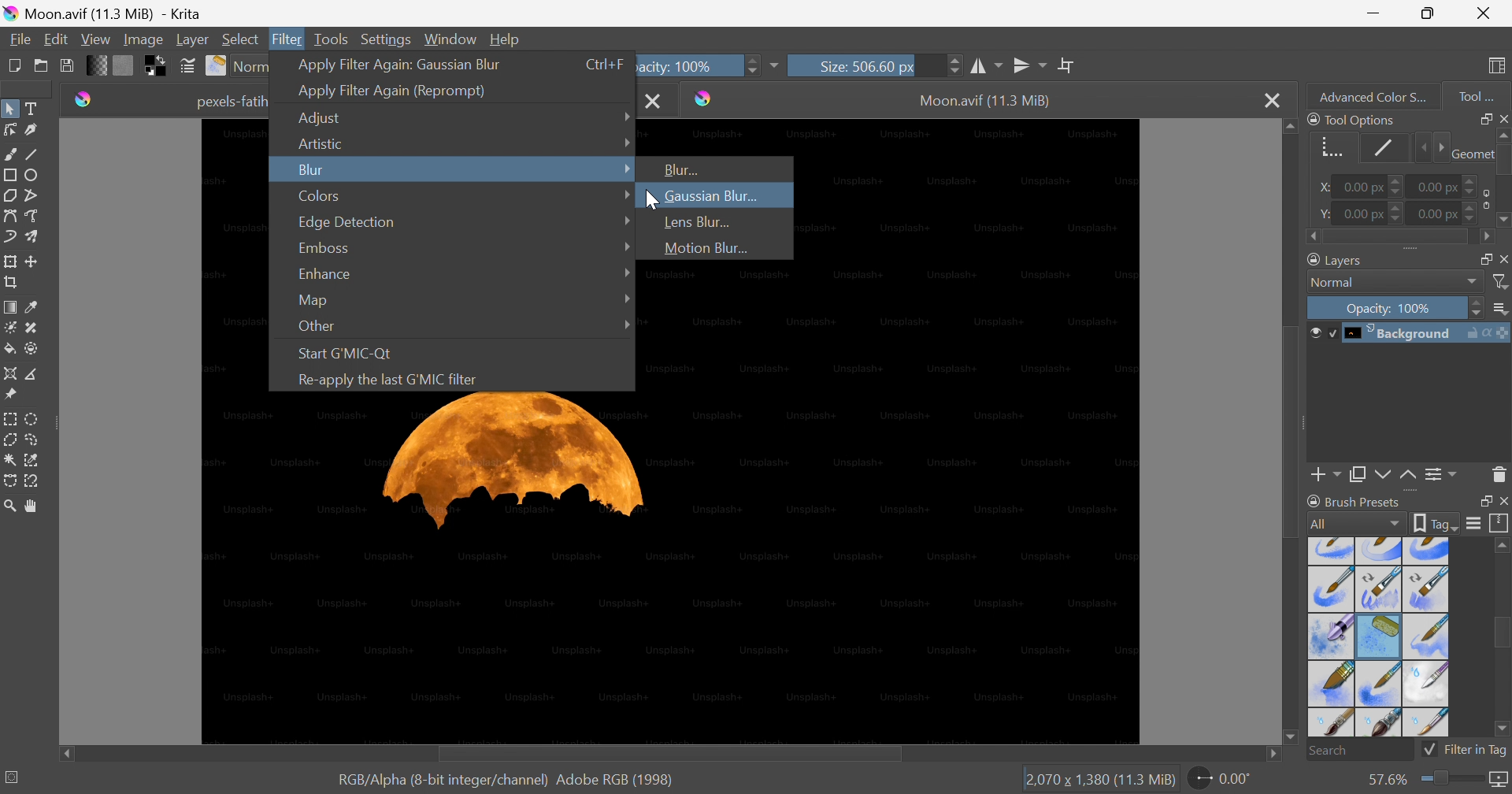  What do you see at coordinates (1503, 159) in the screenshot?
I see `Scroll bar` at bounding box center [1503, 159].